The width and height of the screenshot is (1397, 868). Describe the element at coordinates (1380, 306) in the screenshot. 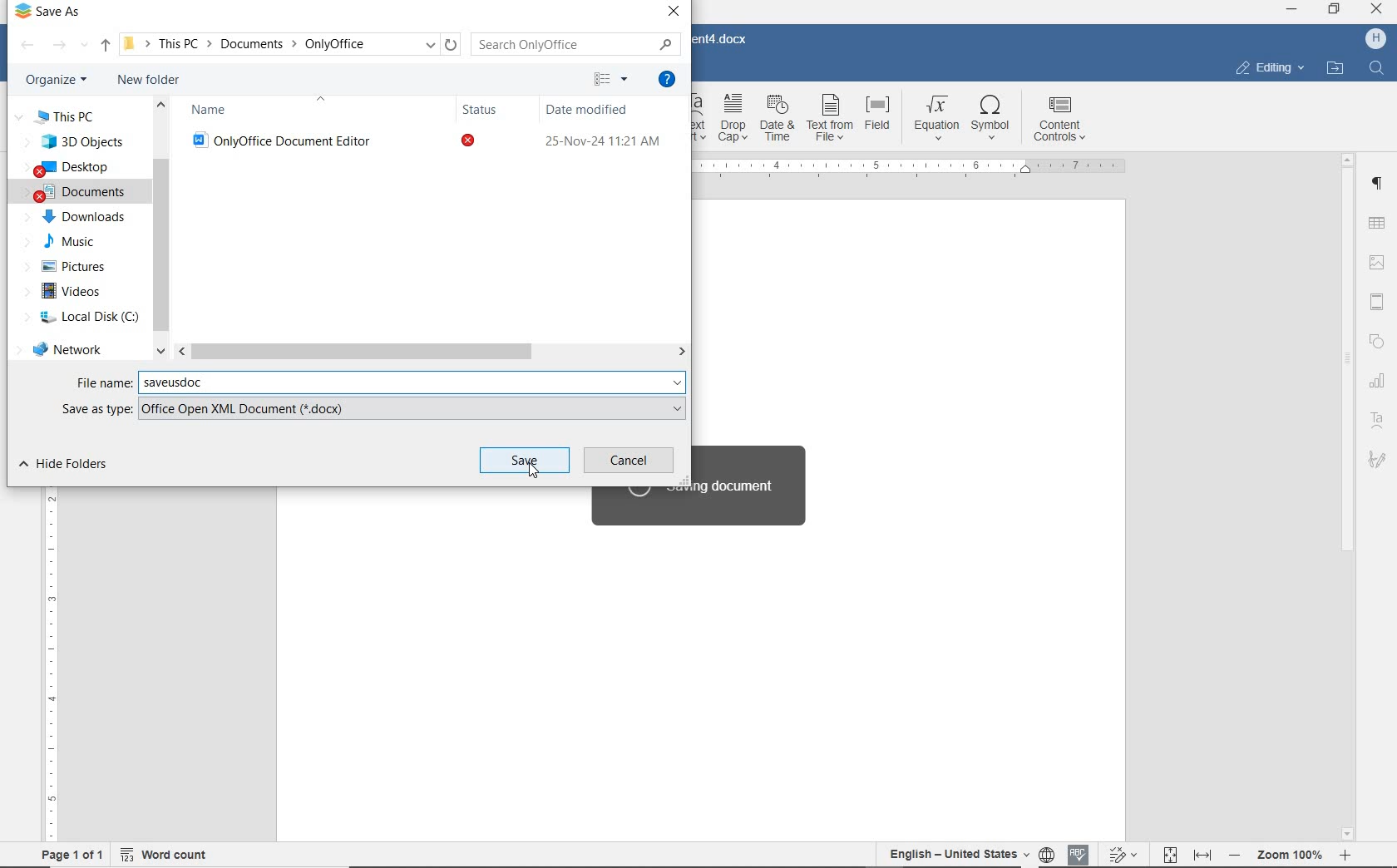

I see `Header and Footer` at that location.